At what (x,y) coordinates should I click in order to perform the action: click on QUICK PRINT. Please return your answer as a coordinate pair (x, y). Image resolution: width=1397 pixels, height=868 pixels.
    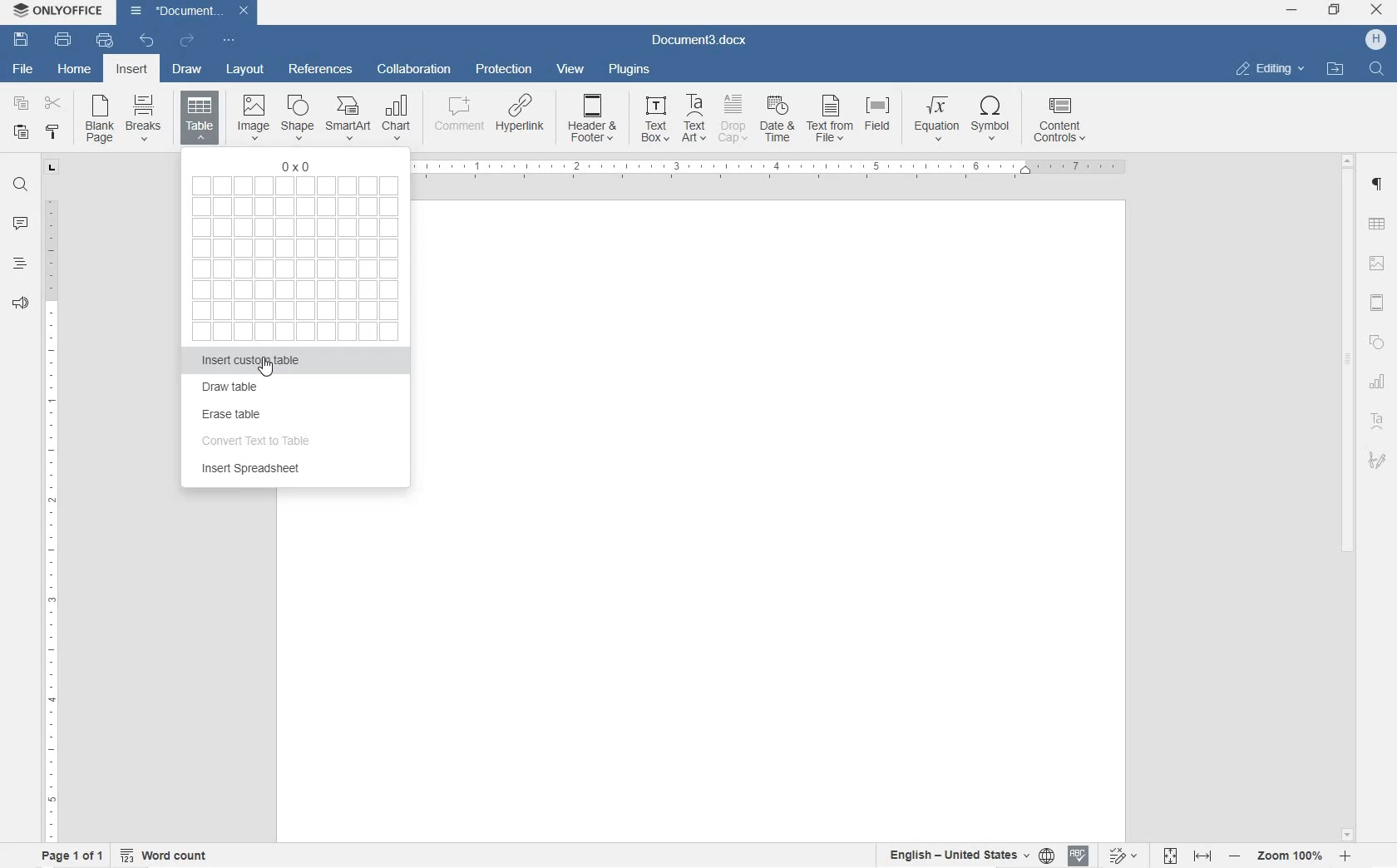
    Looking at the image, I should click on (103, 42).